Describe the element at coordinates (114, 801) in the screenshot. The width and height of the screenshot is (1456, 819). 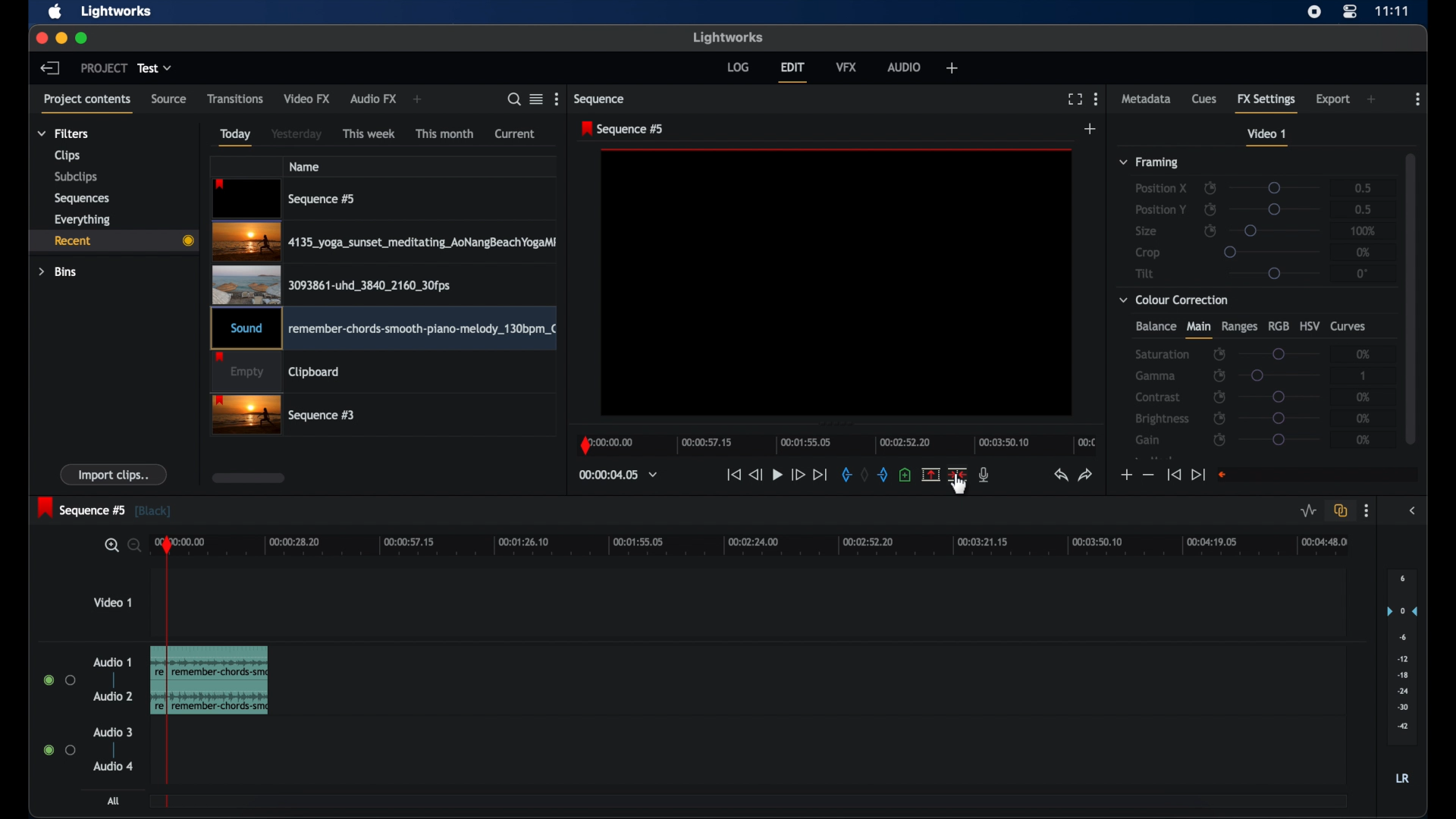
I see `all` at that location.